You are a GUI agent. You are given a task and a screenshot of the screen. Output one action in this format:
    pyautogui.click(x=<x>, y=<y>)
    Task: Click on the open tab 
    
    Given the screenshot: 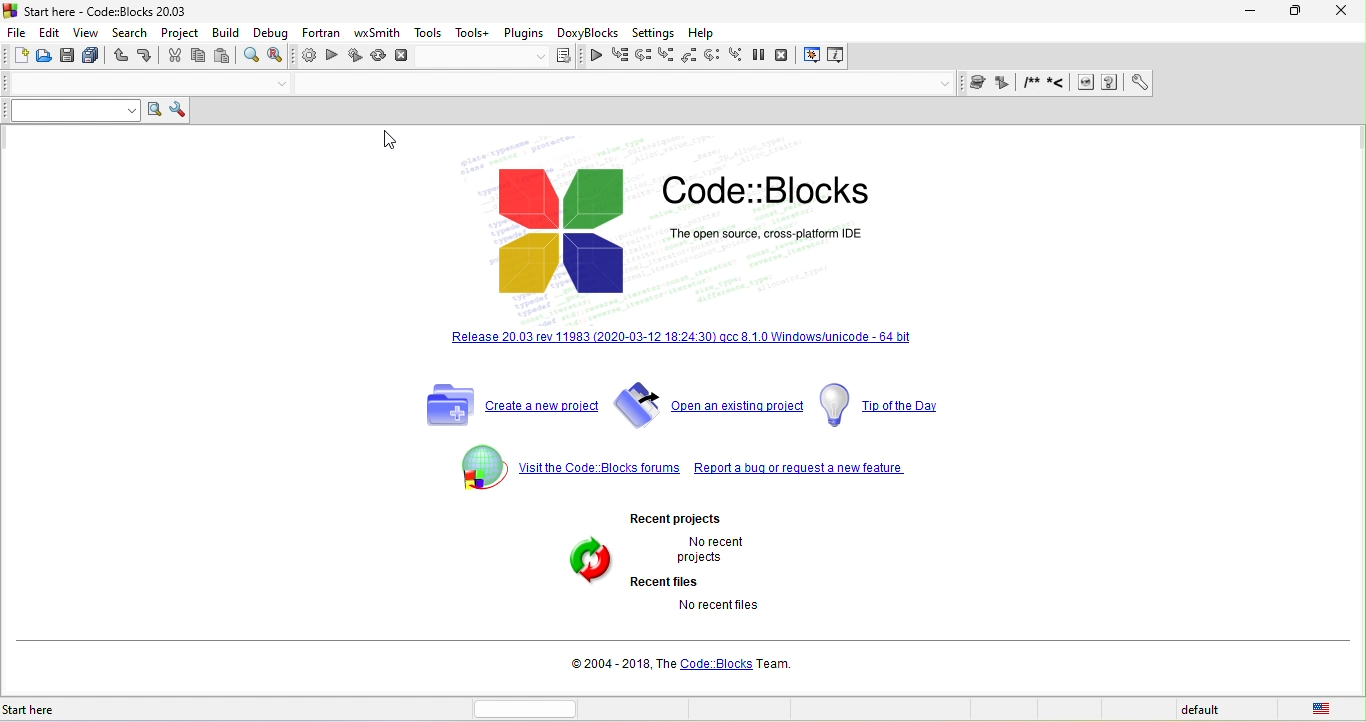 What is the action you would take?
    pyautogui.click(x=126, y=84)
    